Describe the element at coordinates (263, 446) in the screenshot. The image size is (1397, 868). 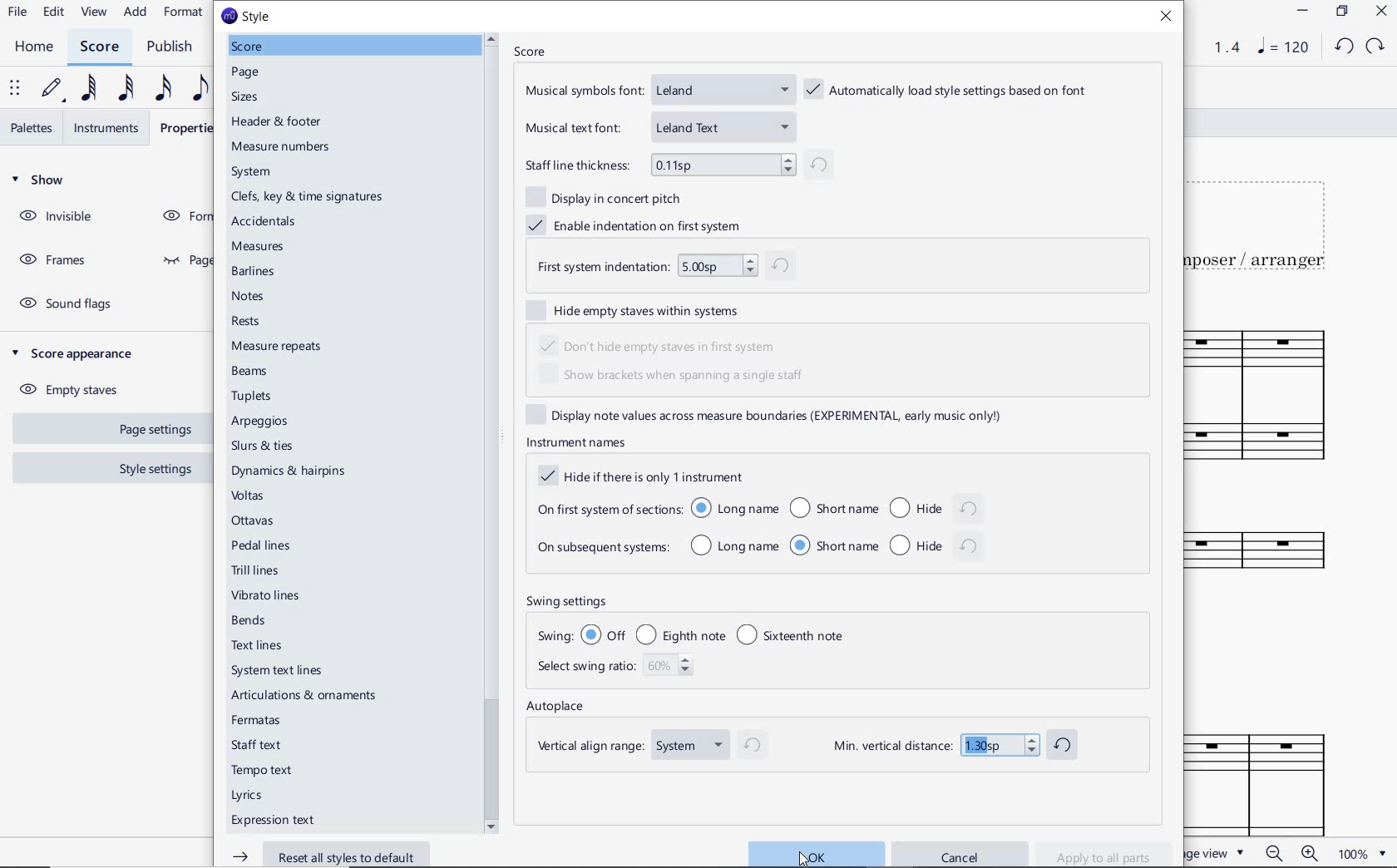
I see `slur & ties` at that location.